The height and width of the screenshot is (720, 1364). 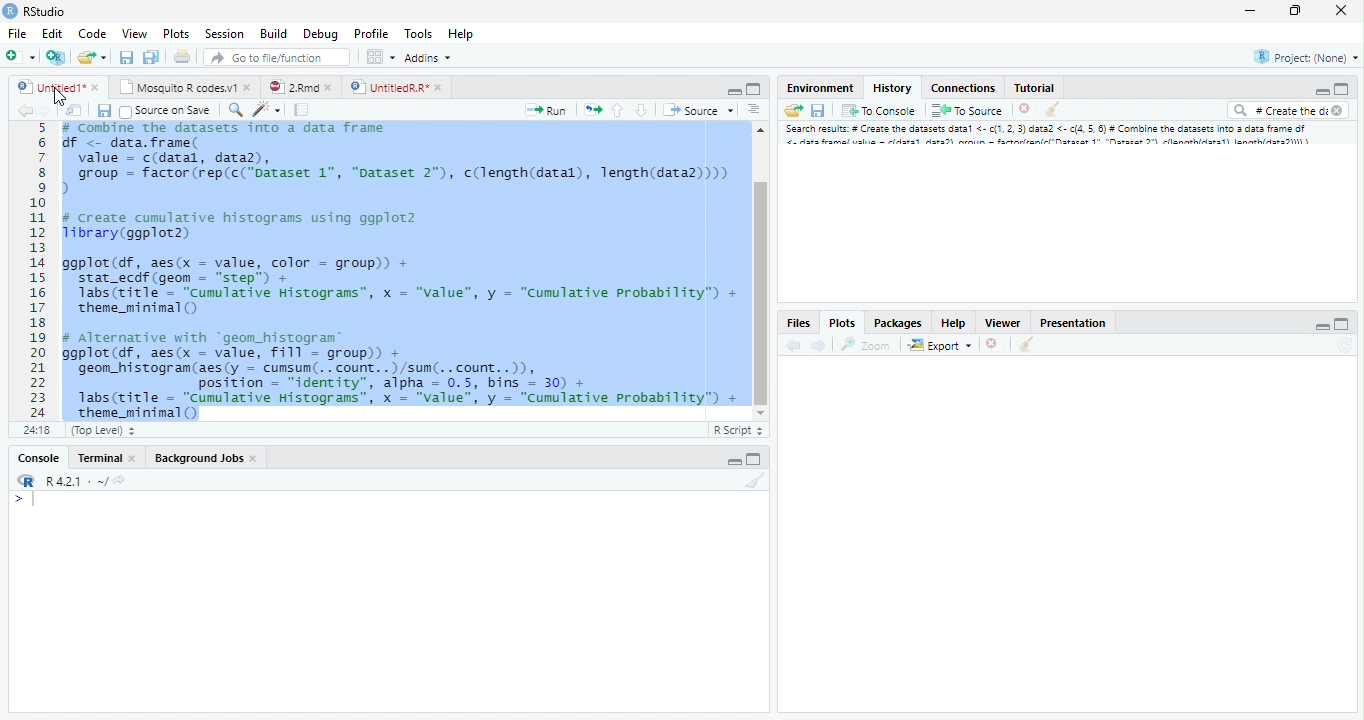 I want to click on Tools, so click(x=420, y=35).